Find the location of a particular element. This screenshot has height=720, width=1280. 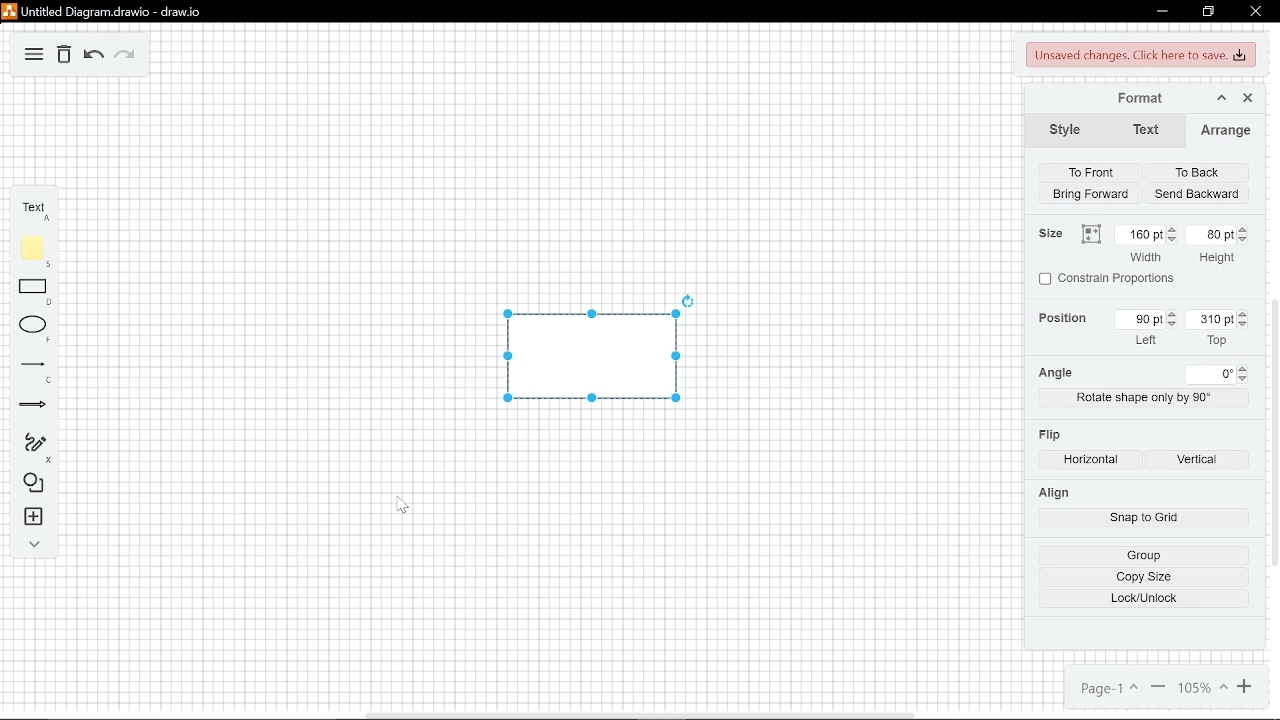

page is located at coordinates (1106, 686).